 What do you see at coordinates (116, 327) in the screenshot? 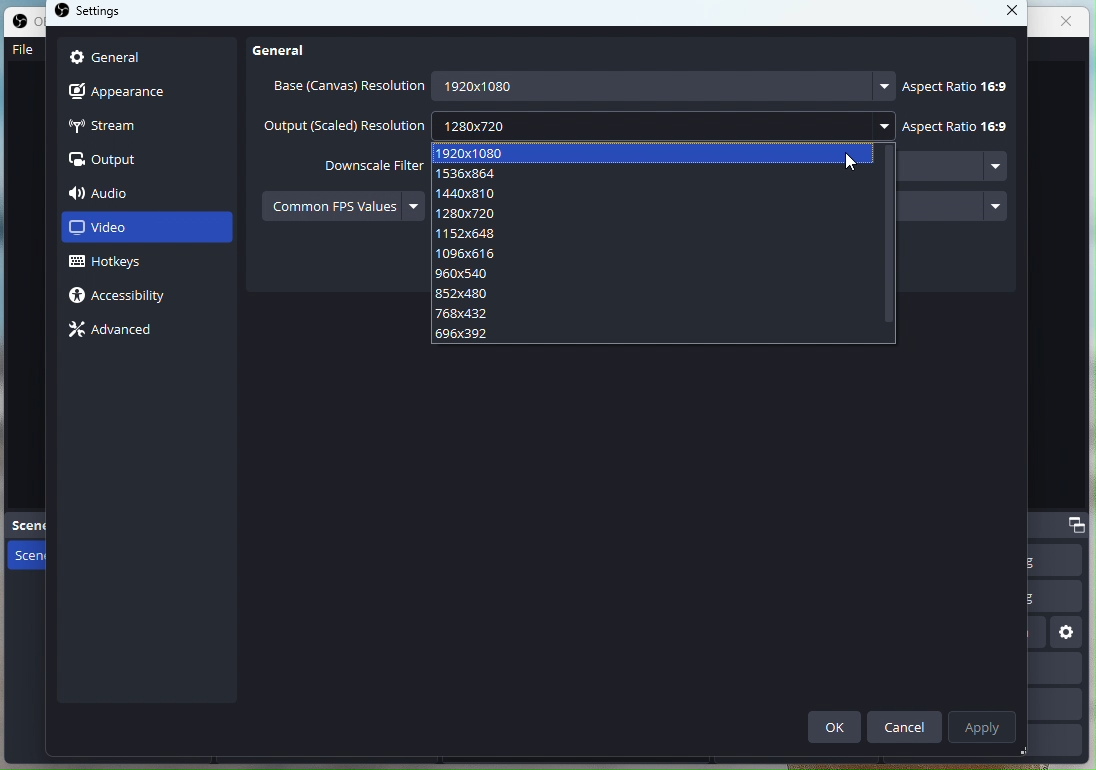
I see `Advance` at bounding box center [116, 327].